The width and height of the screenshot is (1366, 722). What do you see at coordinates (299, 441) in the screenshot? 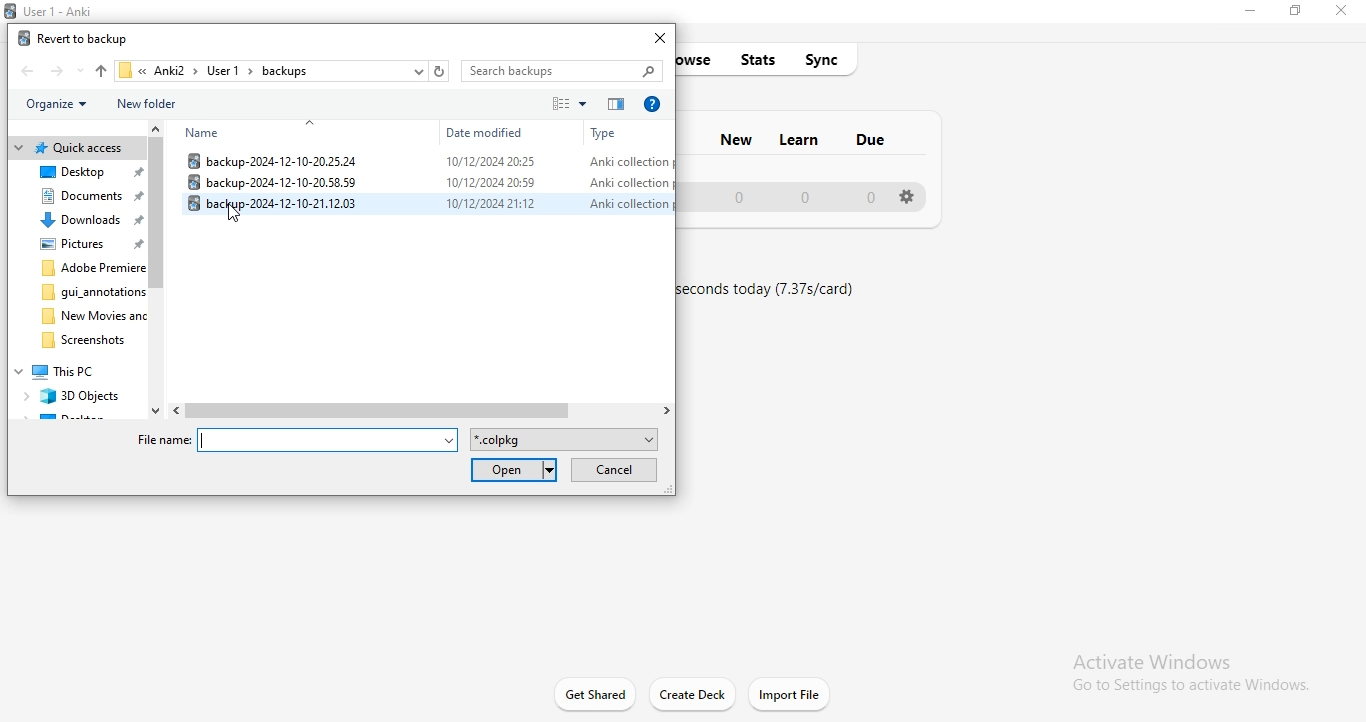
I see `file name` at bounding box center [299, 441].